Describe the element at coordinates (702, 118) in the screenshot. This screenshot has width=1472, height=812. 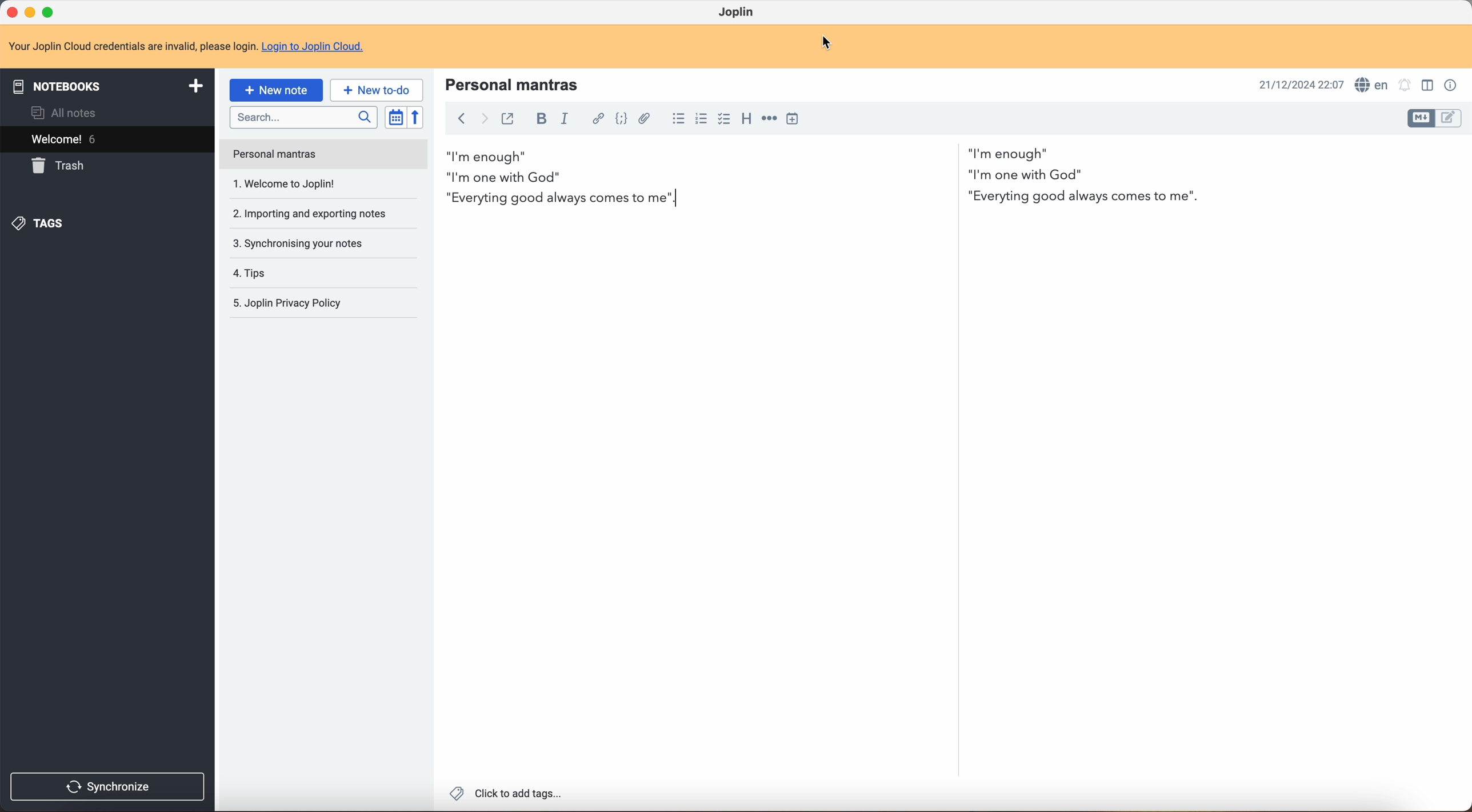
I see `numbered list` at that location.